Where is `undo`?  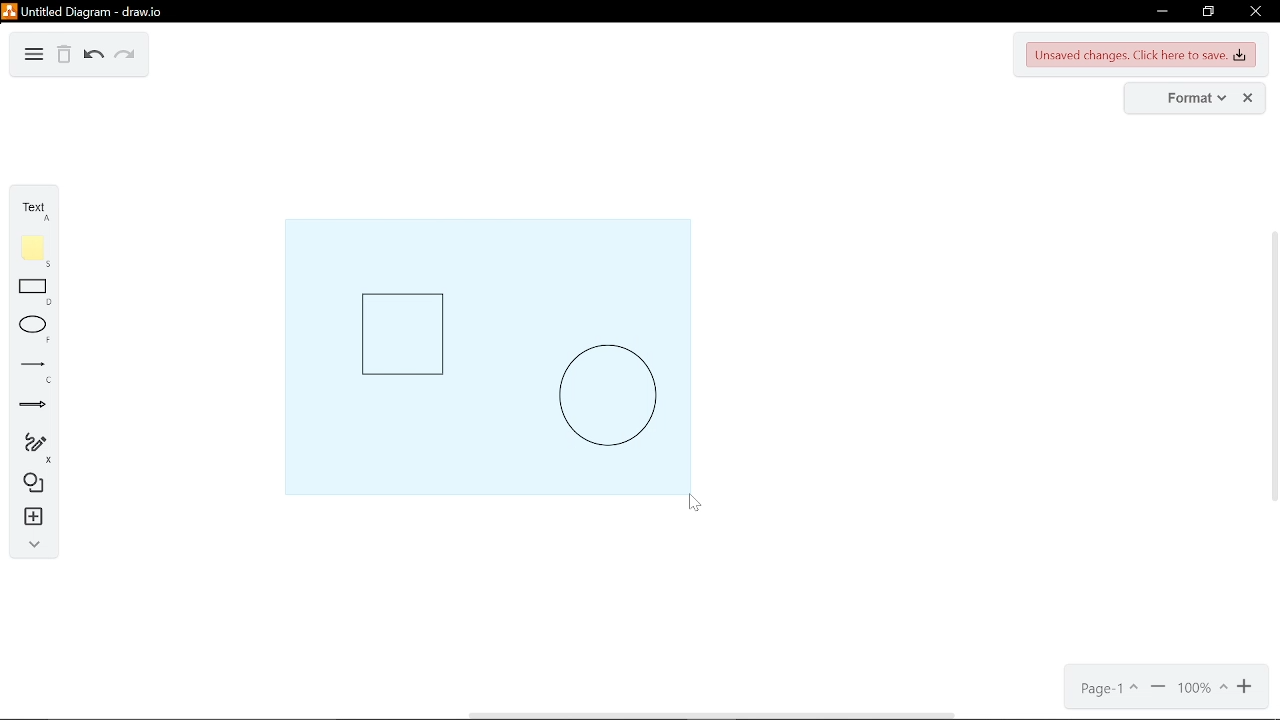 undo is located at coordinates (95, 55).